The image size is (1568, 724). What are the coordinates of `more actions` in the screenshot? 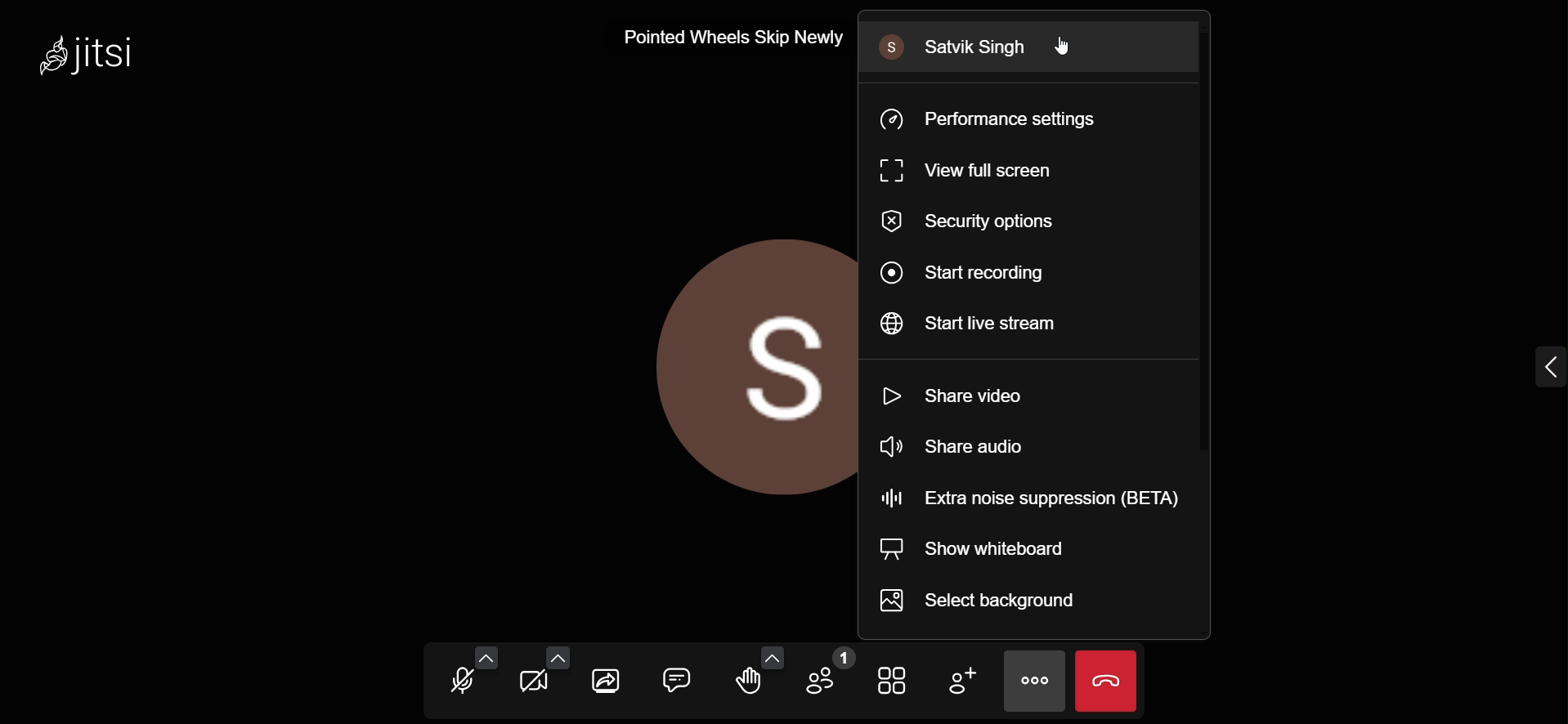 It's located at (1034, 682).